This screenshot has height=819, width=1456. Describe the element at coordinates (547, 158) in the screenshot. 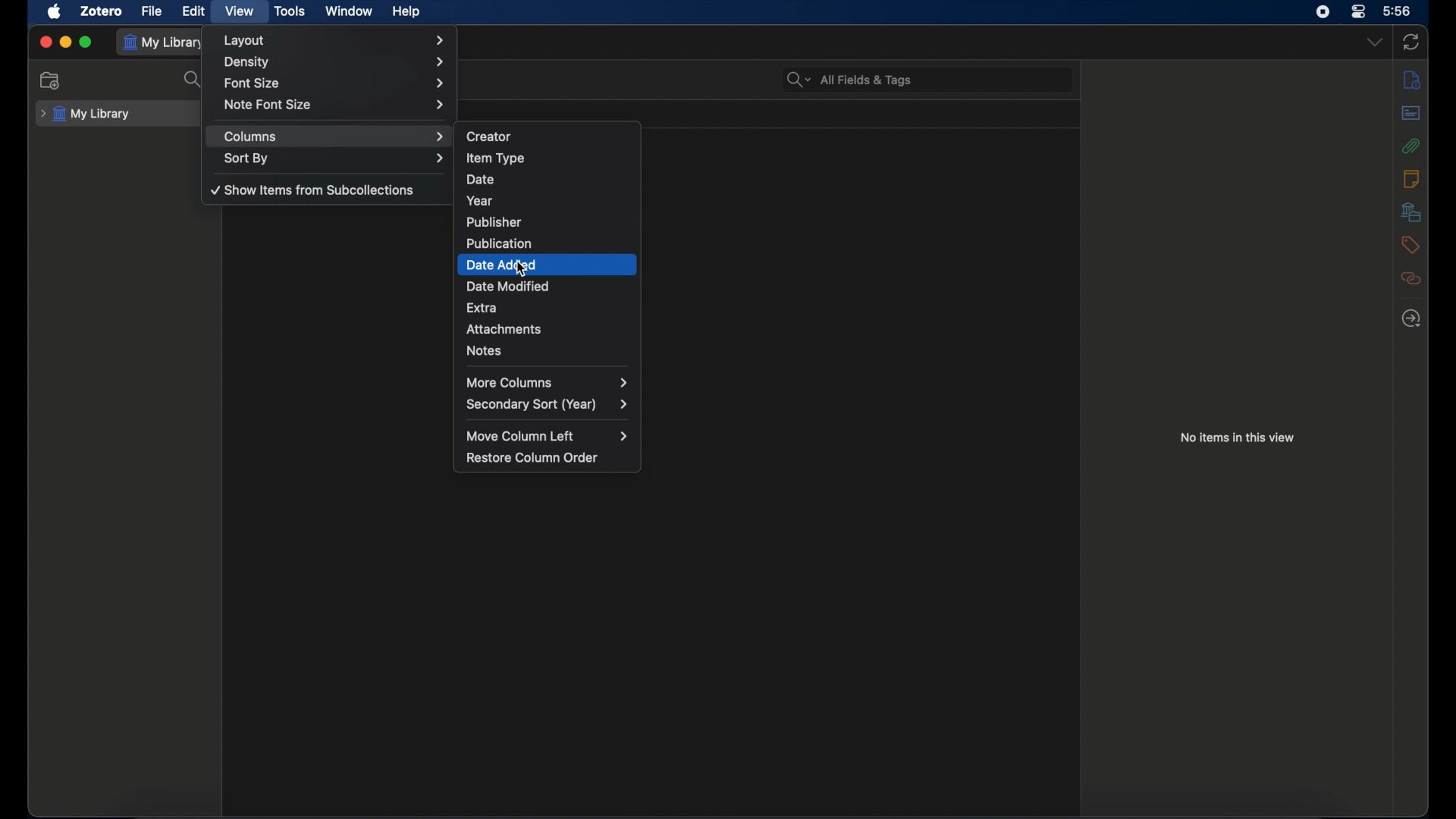

I see `item type` at that location.